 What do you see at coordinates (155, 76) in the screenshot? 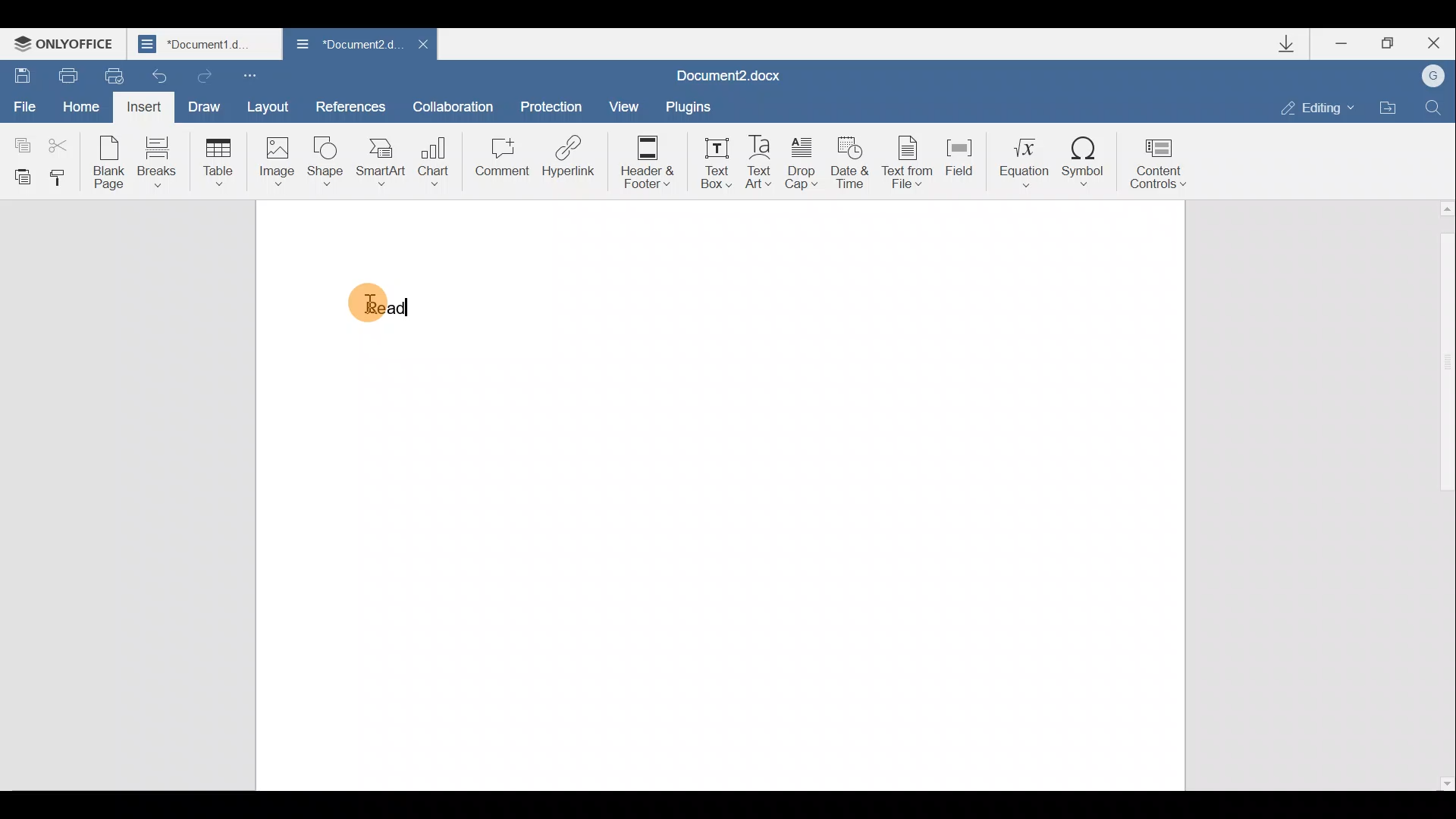
I see `Undo` at bounding box center [155, 76].